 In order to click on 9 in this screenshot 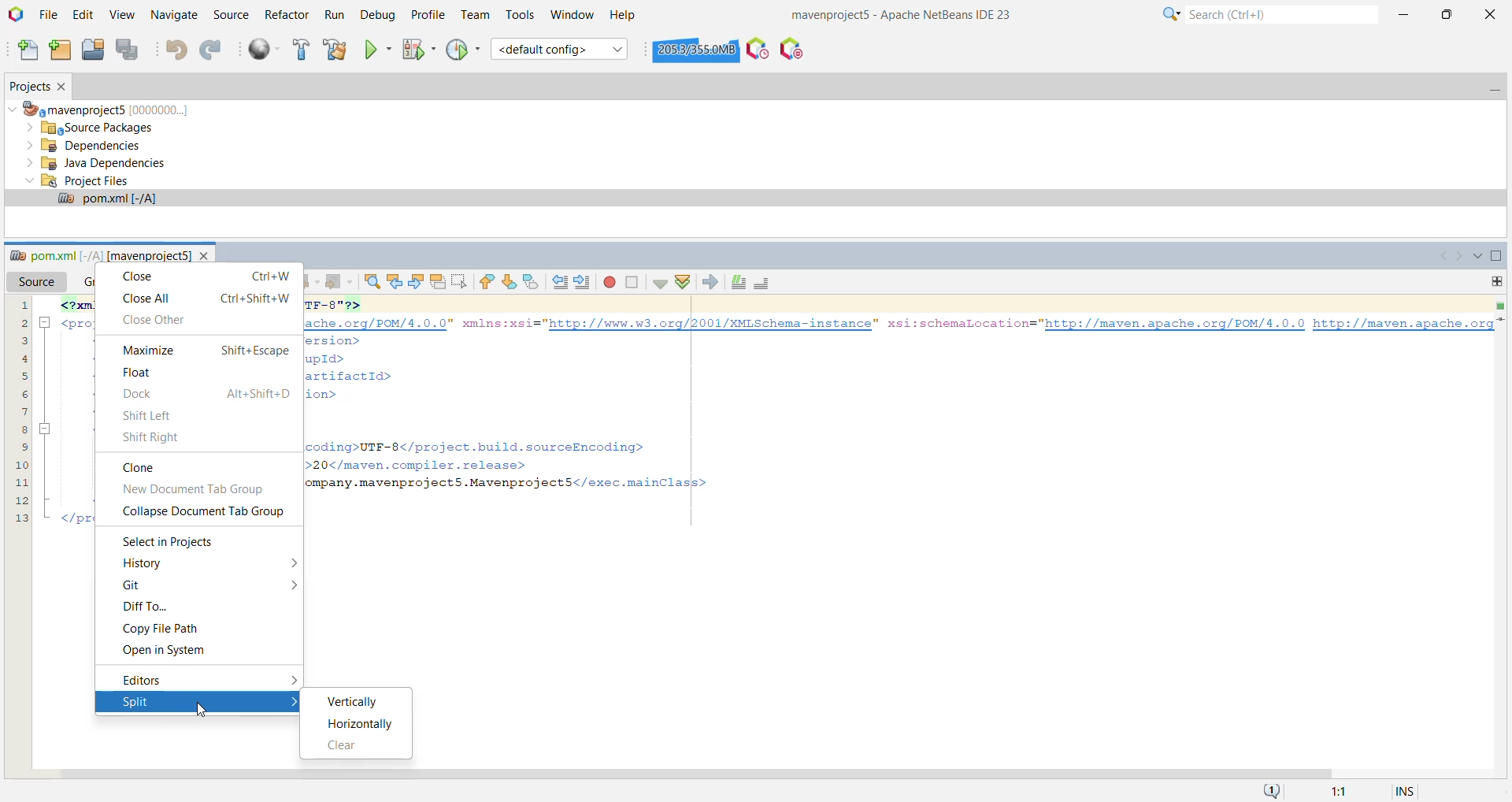, I will do `click(20, 444)`.